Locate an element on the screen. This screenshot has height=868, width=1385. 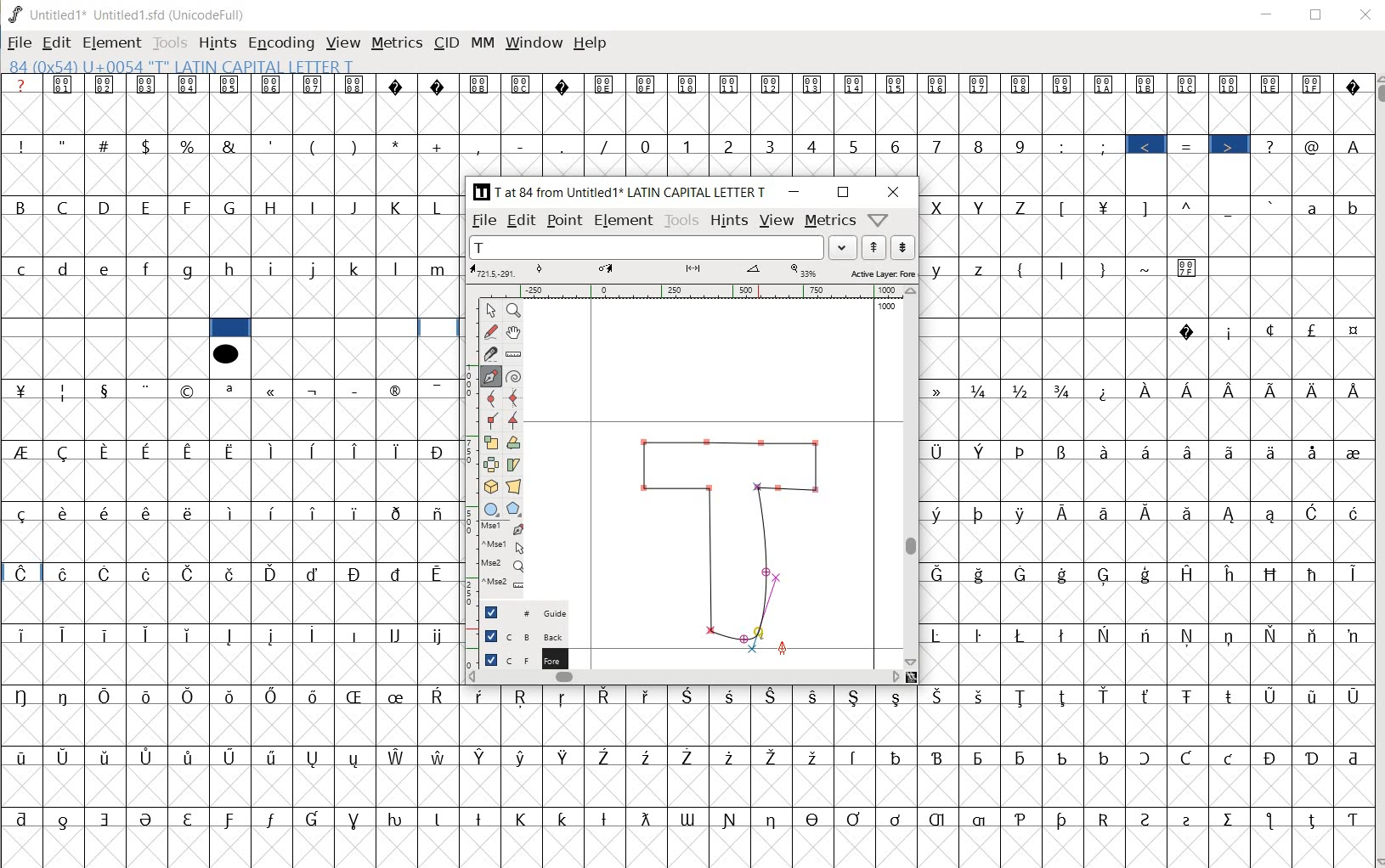
Symbol is located at coordinates (1189, 268).